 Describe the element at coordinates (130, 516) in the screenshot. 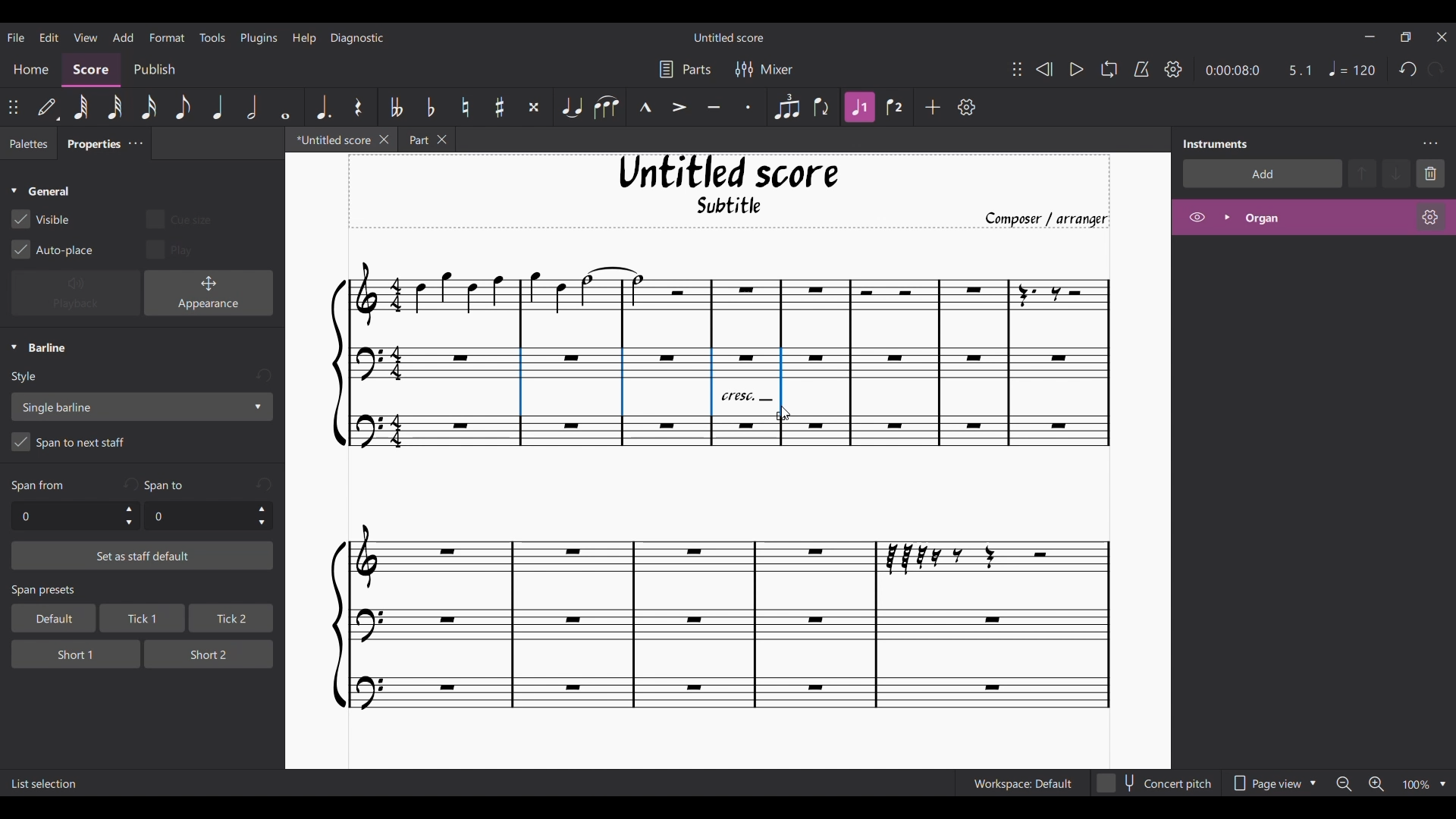

I see `Increase/Decrease Span from` at that location.